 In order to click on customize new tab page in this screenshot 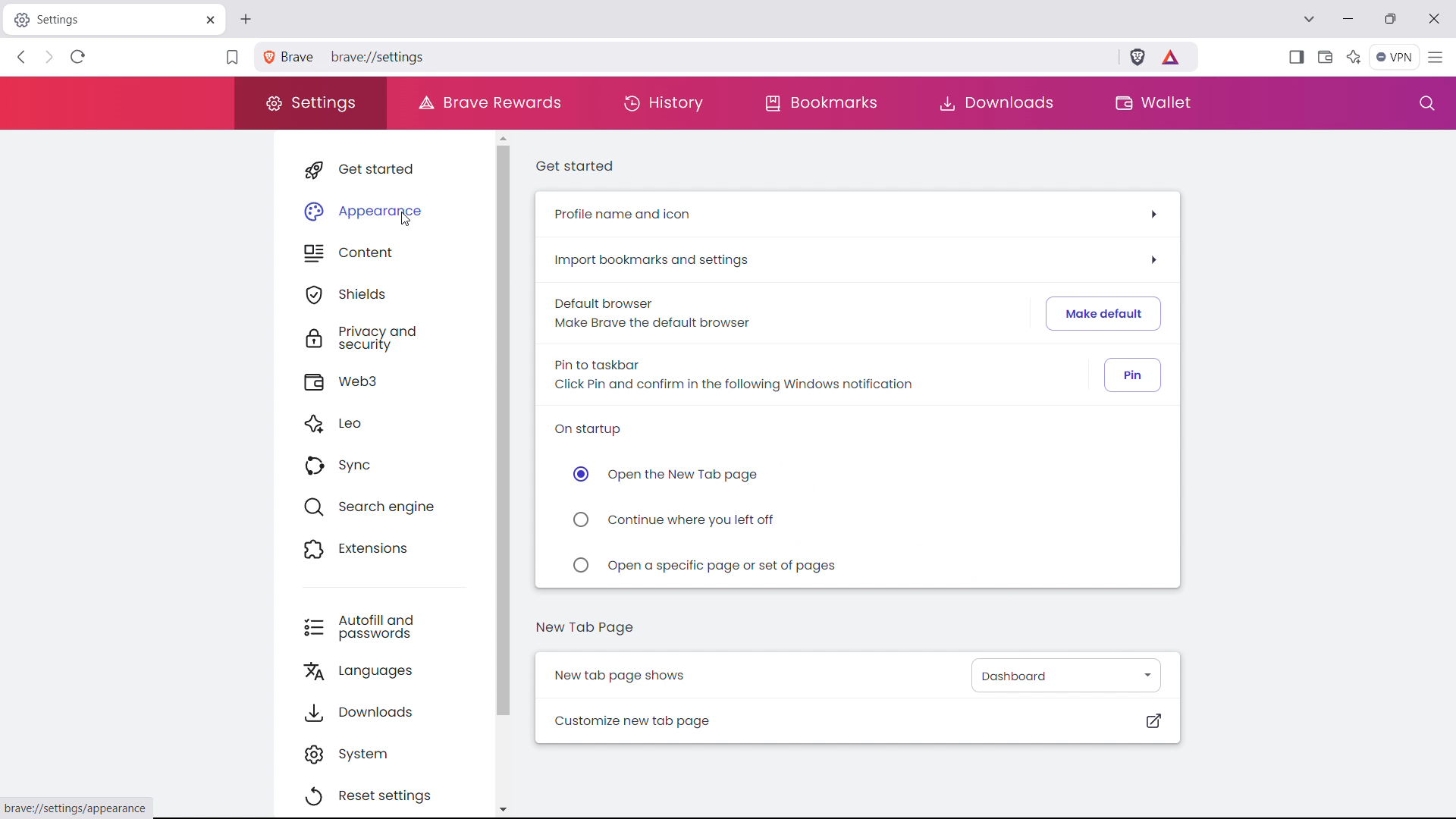, I will do `click(852, 721)`.